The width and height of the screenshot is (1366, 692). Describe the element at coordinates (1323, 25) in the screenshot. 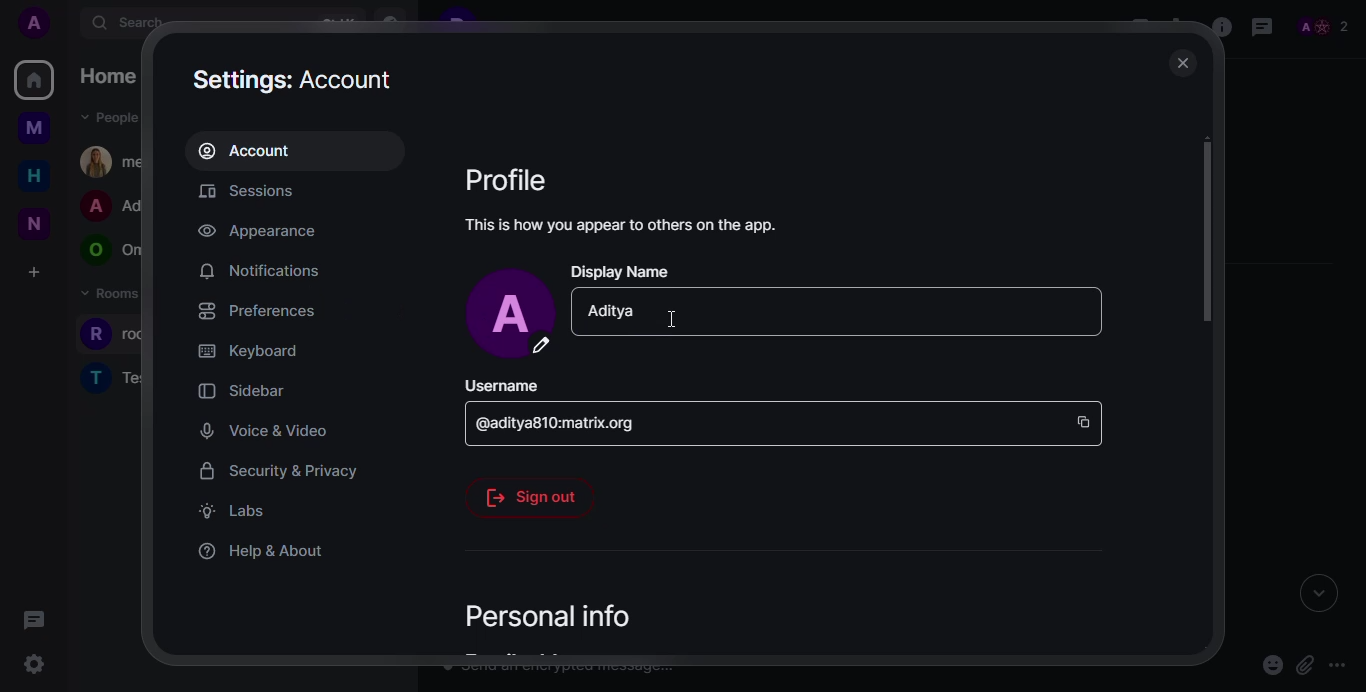

I see `people` at that location.